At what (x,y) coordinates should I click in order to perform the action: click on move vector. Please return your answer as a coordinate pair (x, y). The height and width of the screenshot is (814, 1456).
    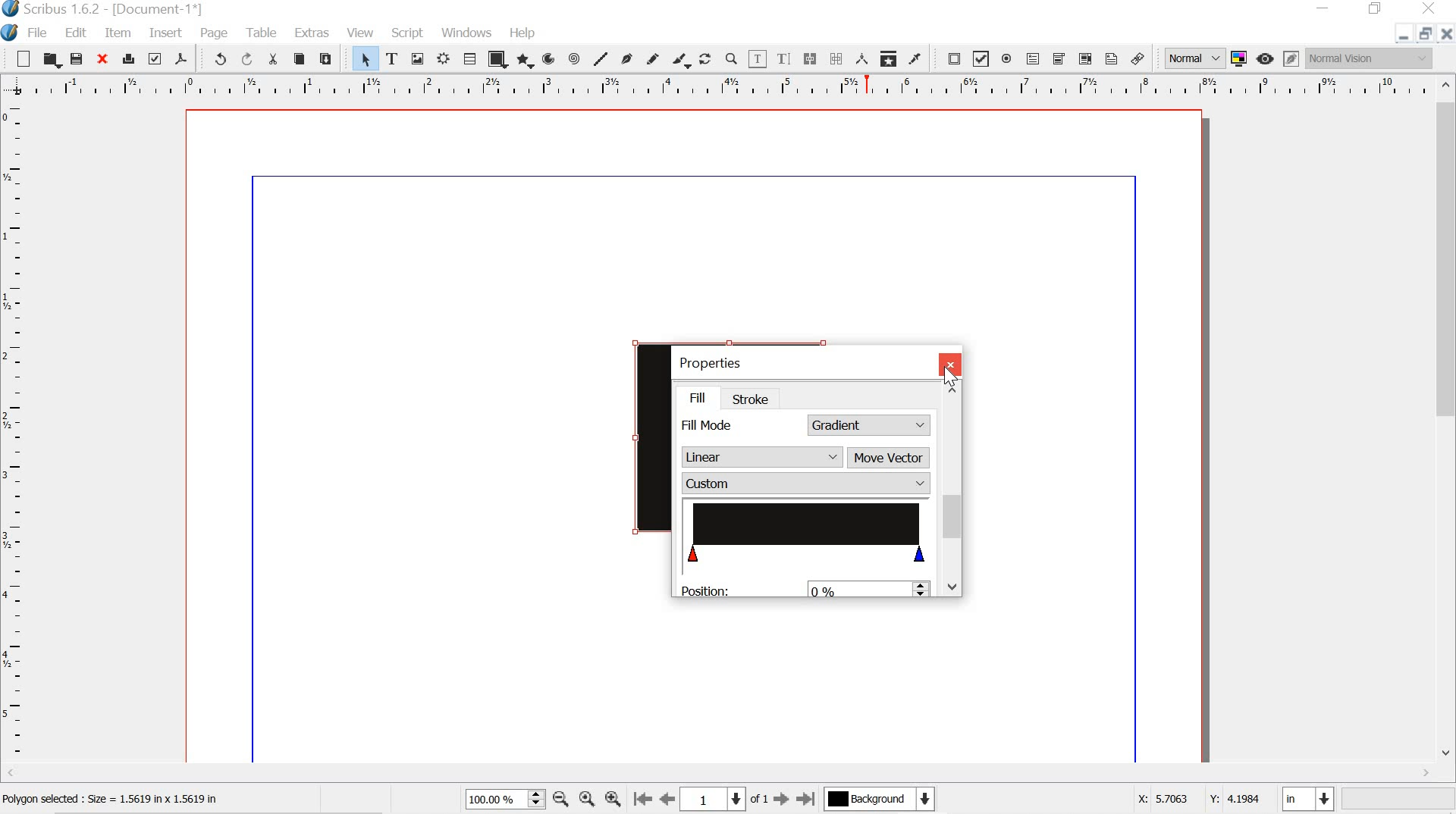
    Looking at the image, I should click on (888, 458).